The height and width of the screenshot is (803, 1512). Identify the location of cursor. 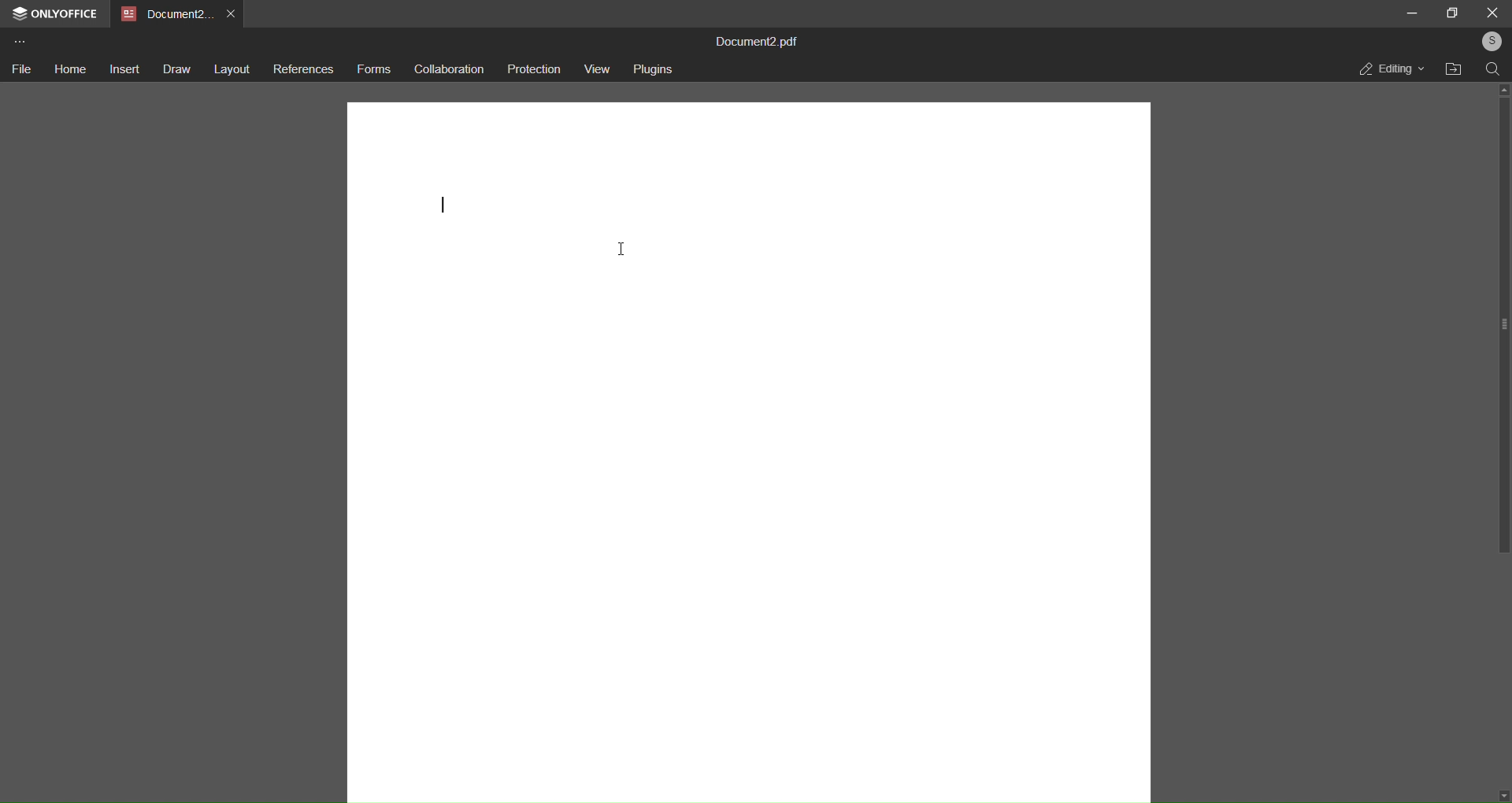
(621, 251).